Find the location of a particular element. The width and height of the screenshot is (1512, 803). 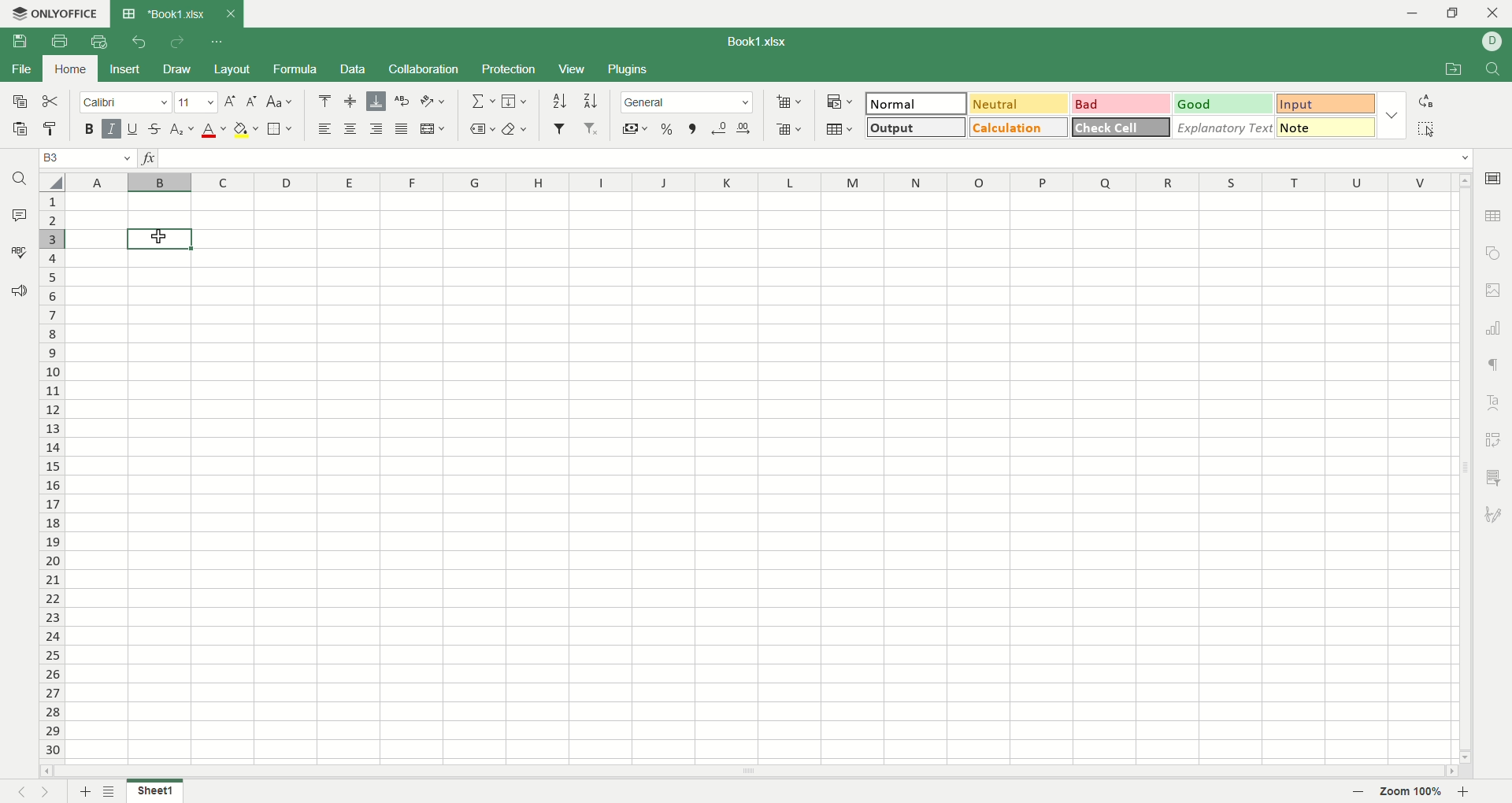

home is located at coordinates (68, 68).